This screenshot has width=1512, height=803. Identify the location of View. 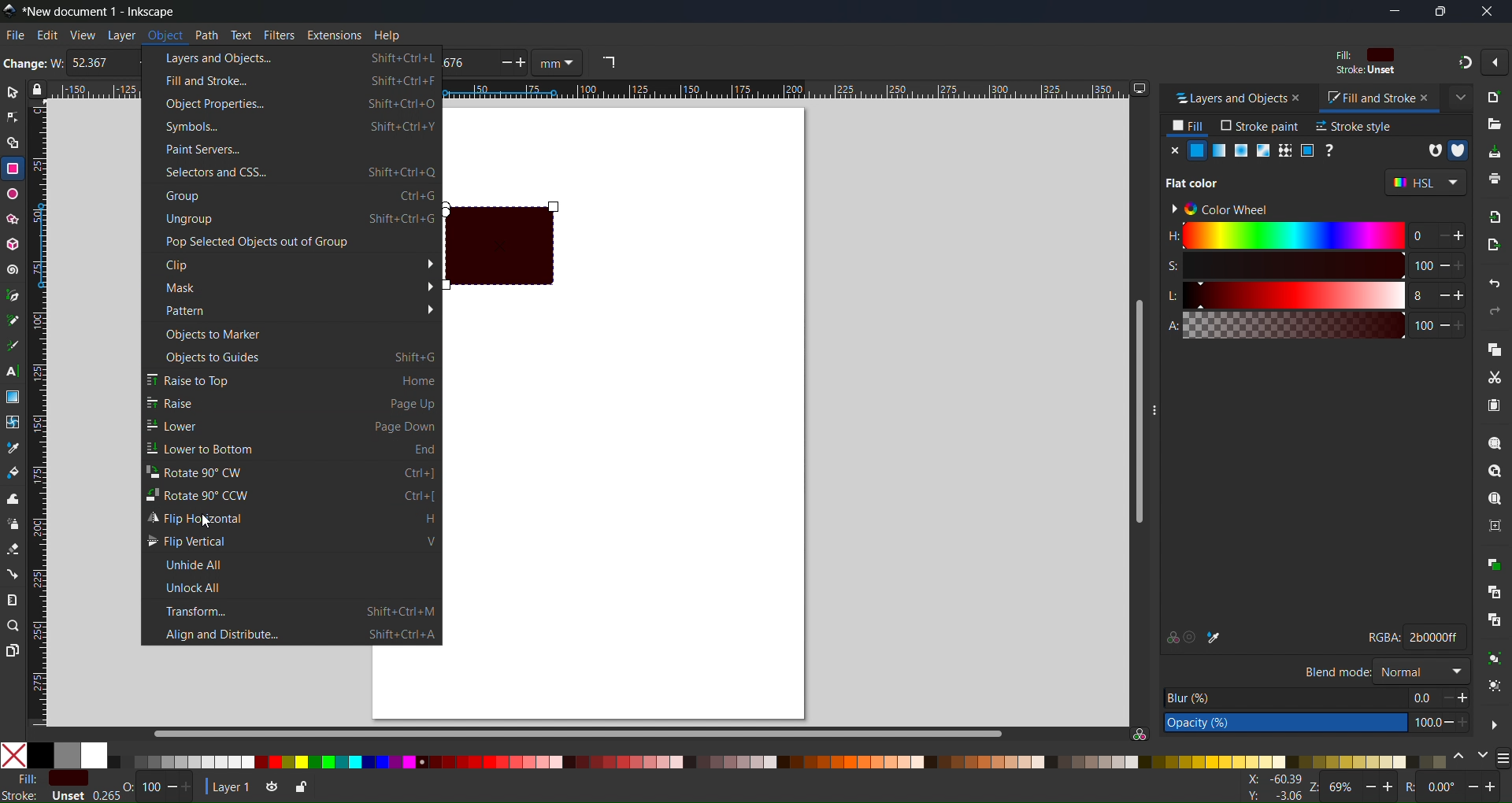
(82, 35).